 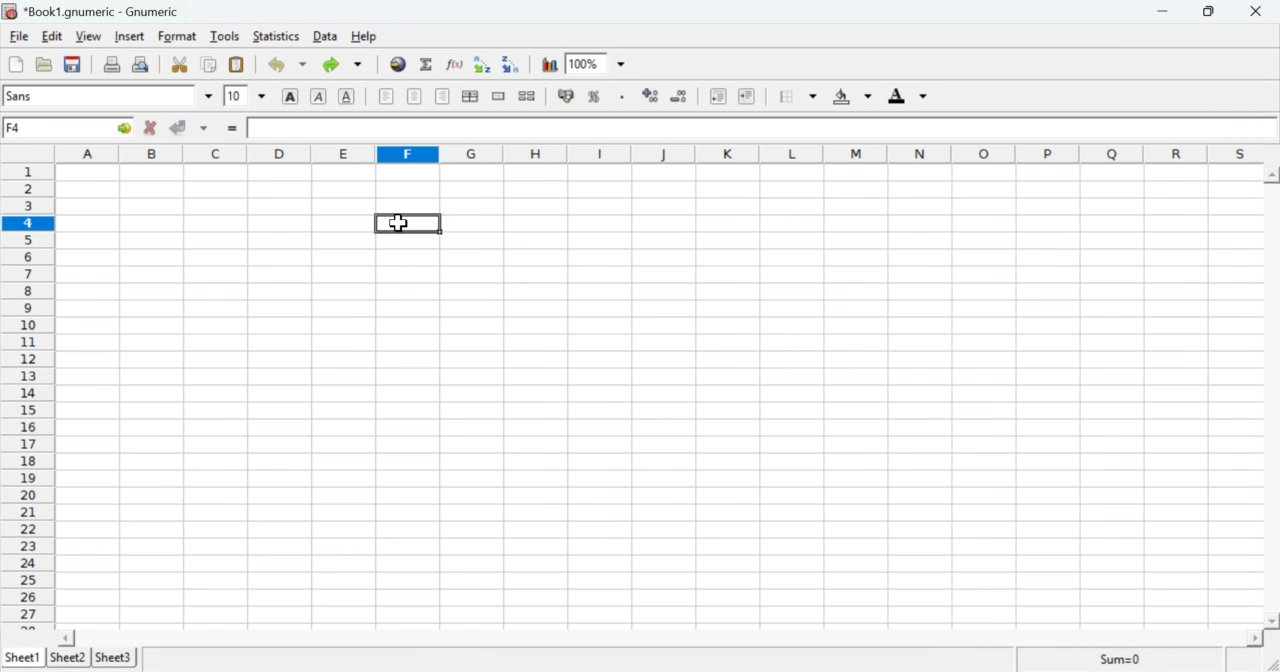 What do you see at coordinates (663, 637) in the screenshot?
I see `scroll bar` at bounding box center [663, 637].